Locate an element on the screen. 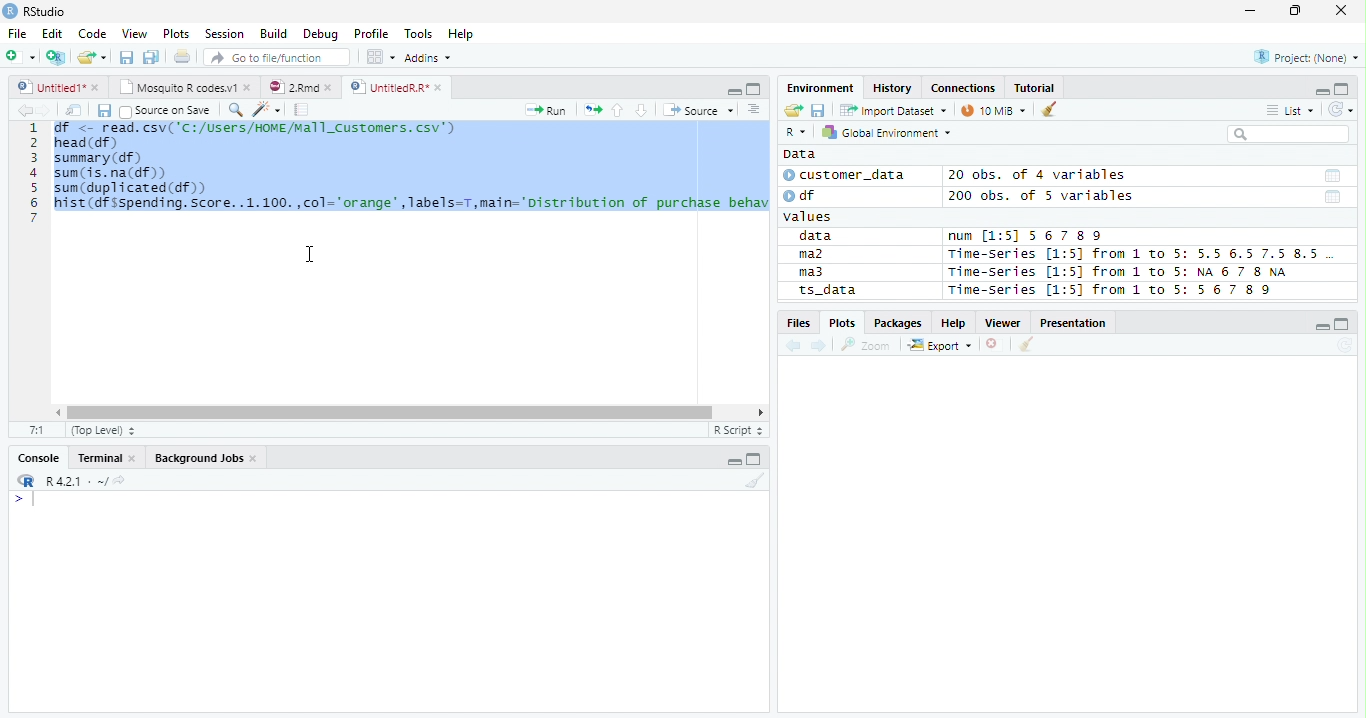 This screenshot has height=718, width=1366. Date is located at coordinates (1331, 176).